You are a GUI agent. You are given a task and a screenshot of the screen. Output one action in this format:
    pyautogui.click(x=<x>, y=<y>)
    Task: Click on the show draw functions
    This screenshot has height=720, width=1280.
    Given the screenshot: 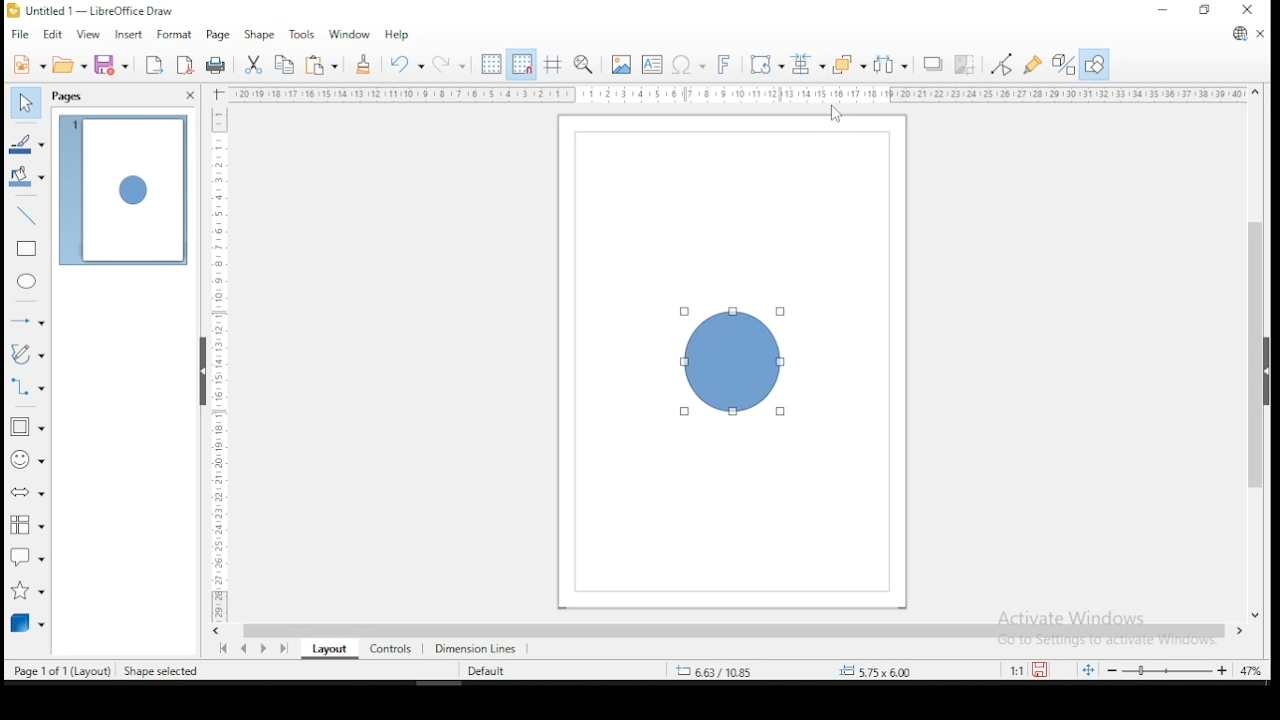 What is the action you would take?
    pyautogui.click(x=1095, y=65)
    